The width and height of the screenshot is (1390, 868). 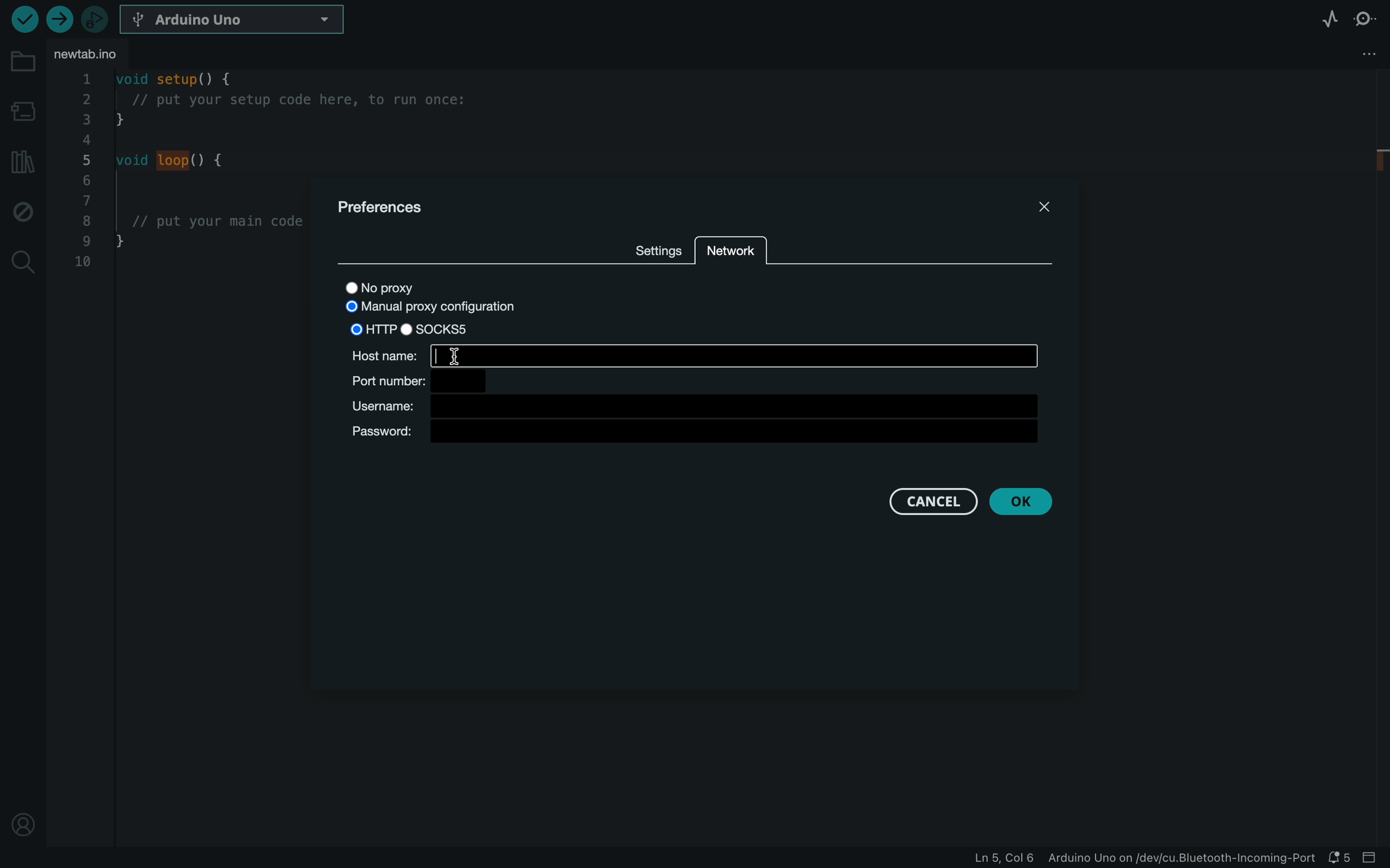 What do you see at coordinates (1372, 858) in the screenshot?
I see `close slide bar` at bounding box center [1372, 858].